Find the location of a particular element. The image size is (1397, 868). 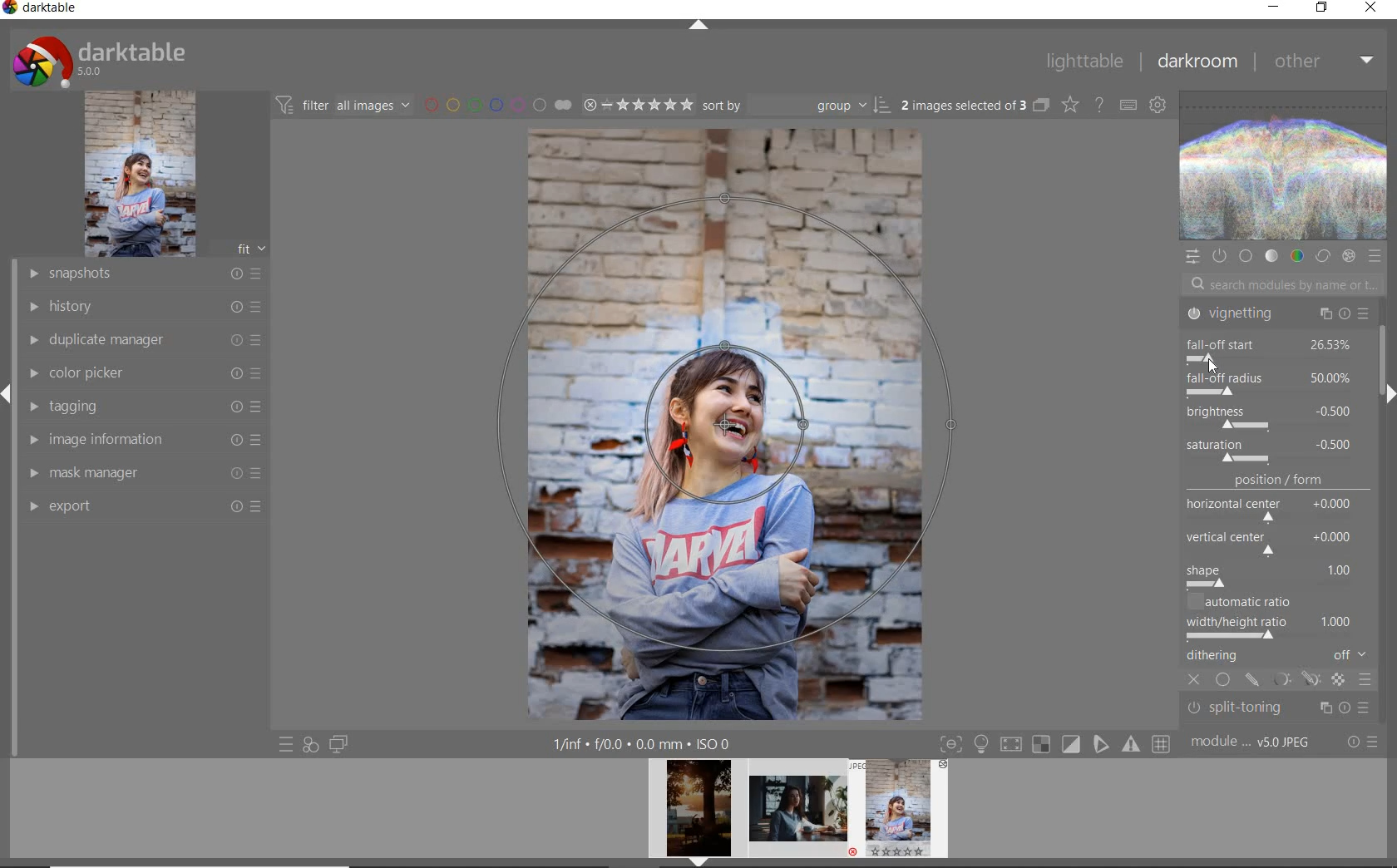

quick access to preset is located at coordinates (287, 745).